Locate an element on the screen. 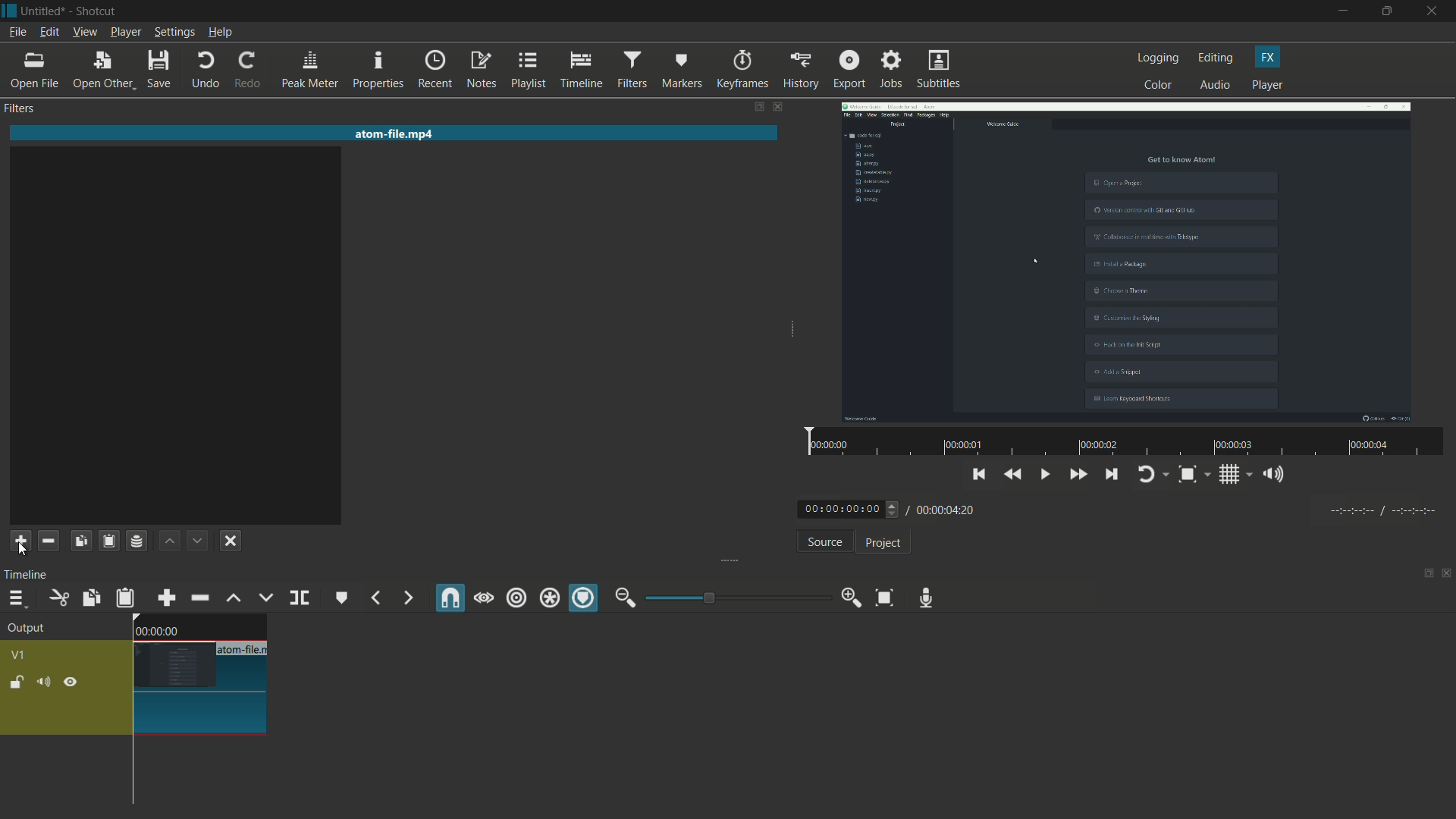 Image resolution: width=1456 pixels, height=819 pixels. skip to the previous point is located at coordinates (979, 472).